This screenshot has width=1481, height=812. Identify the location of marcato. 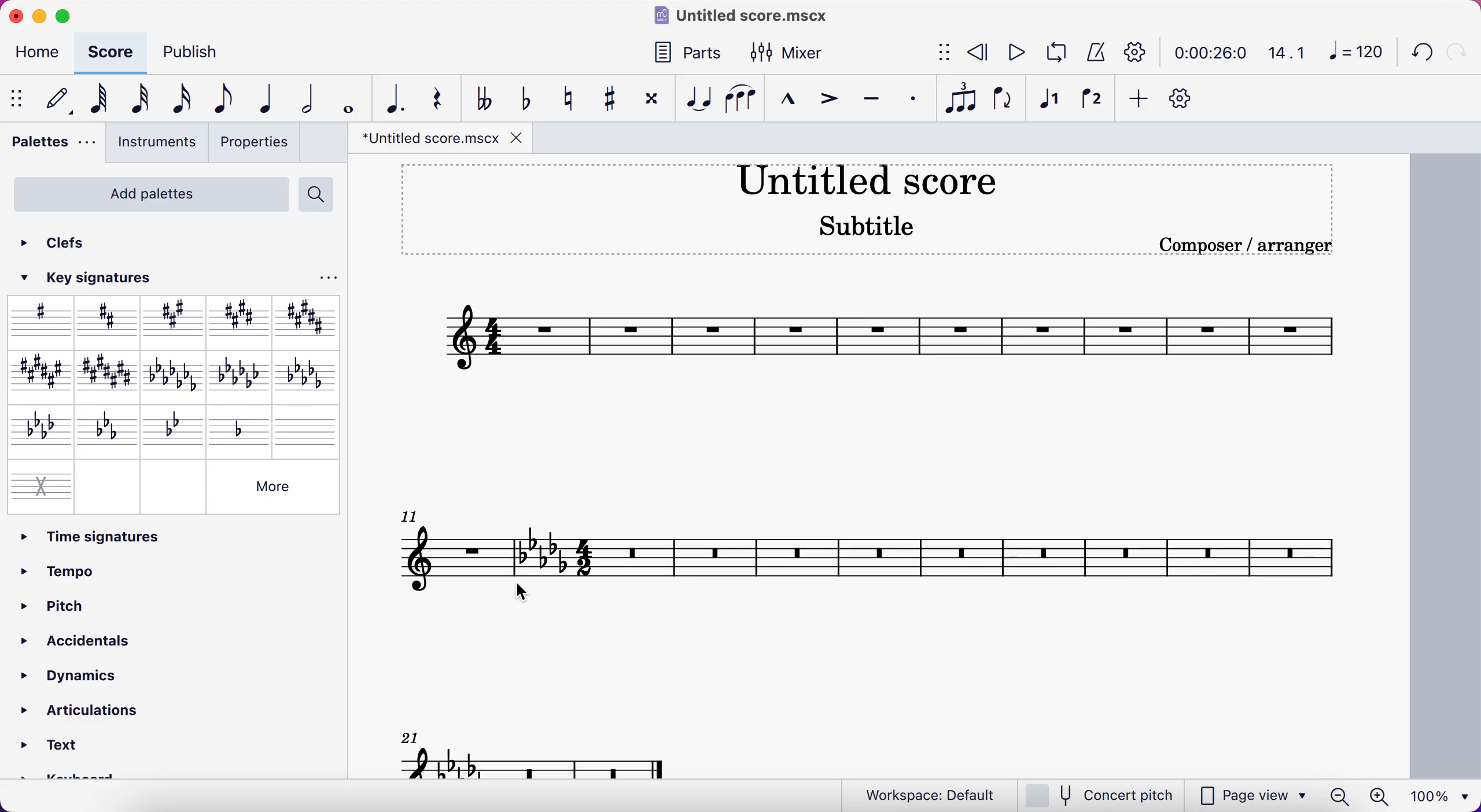
(791, 105).